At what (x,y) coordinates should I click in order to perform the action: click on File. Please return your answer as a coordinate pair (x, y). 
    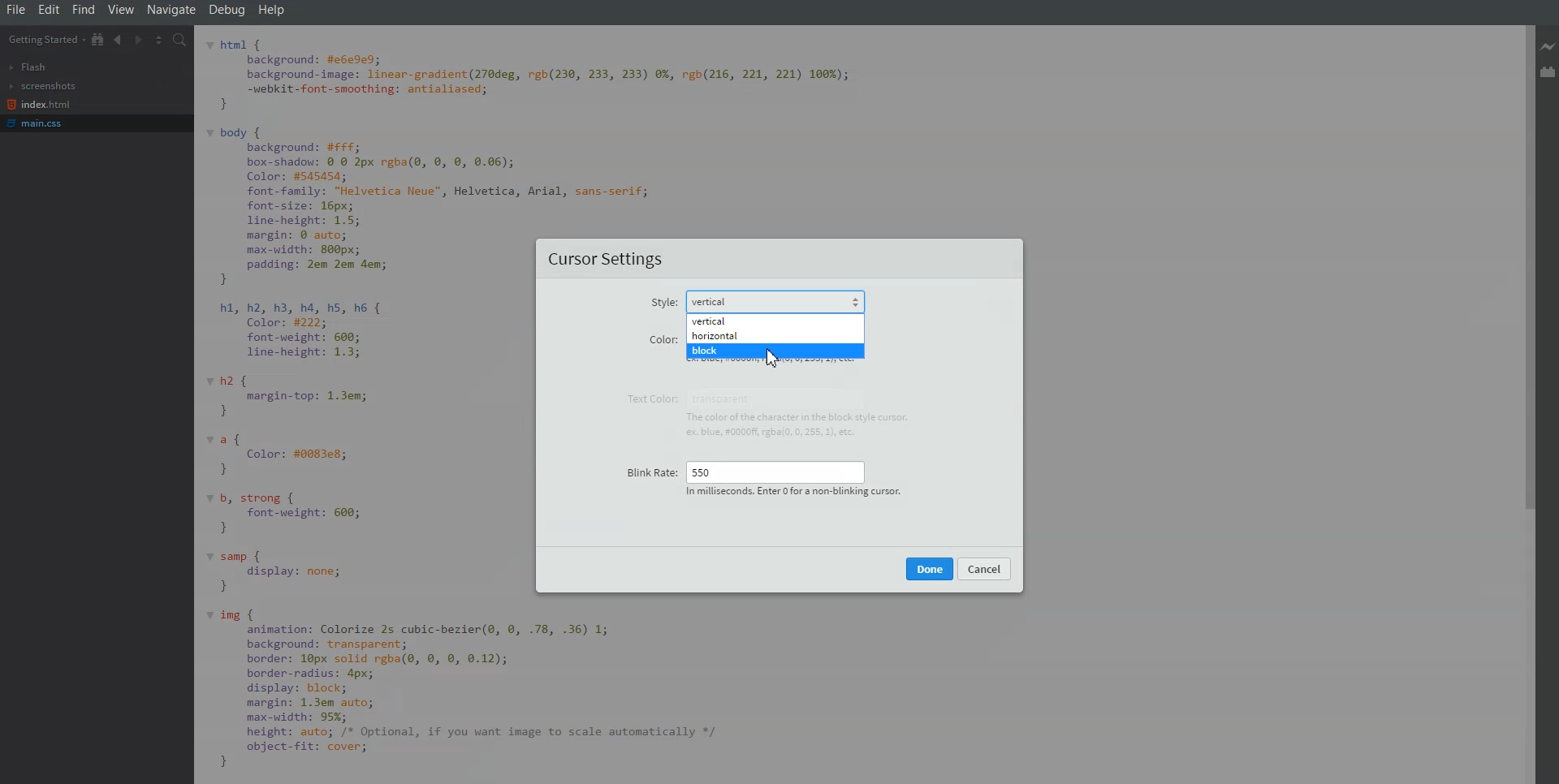
    Looking at the image, I should click on (15, 10).